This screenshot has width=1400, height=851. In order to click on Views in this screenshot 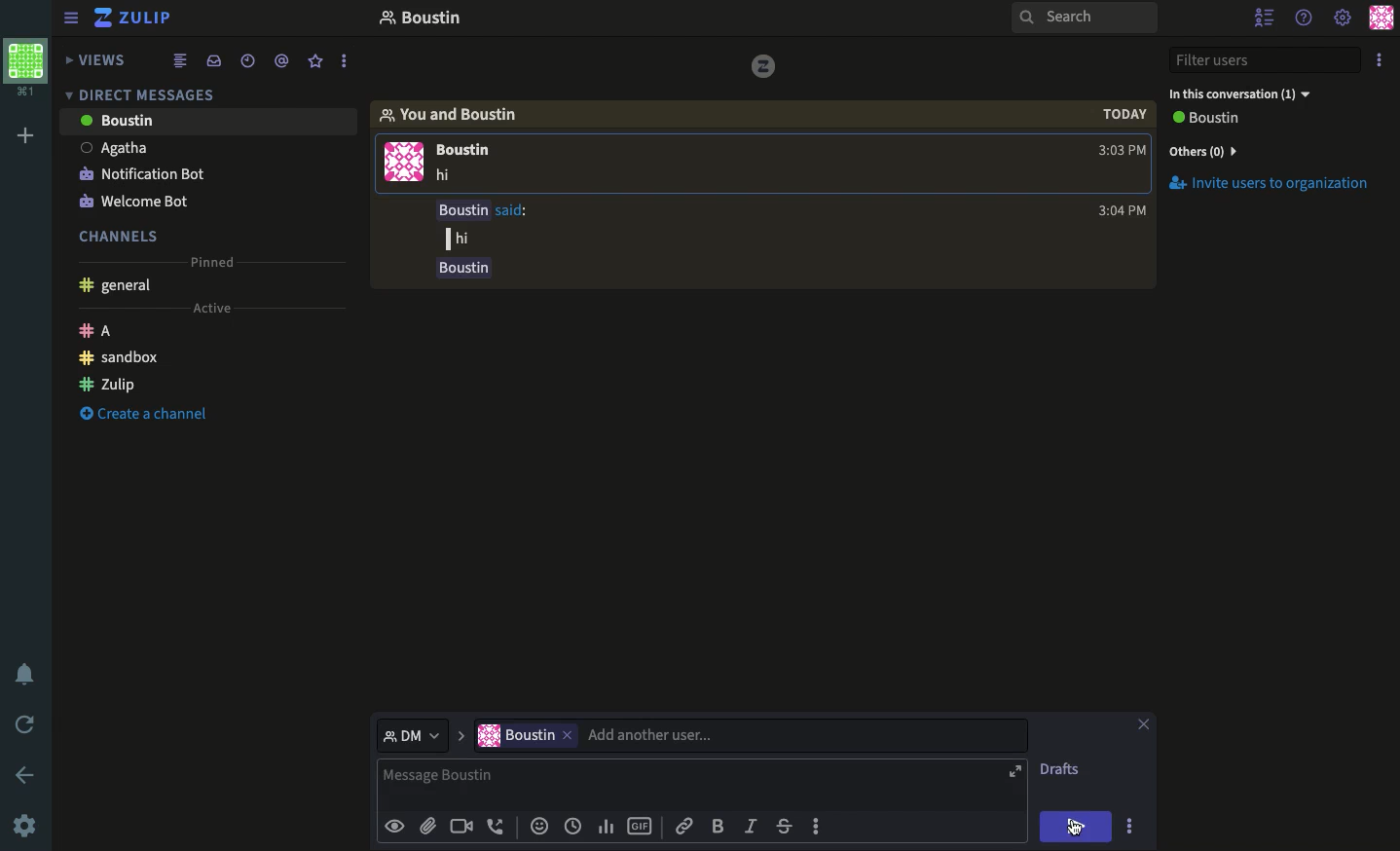, I will do `click(100, 57)`.